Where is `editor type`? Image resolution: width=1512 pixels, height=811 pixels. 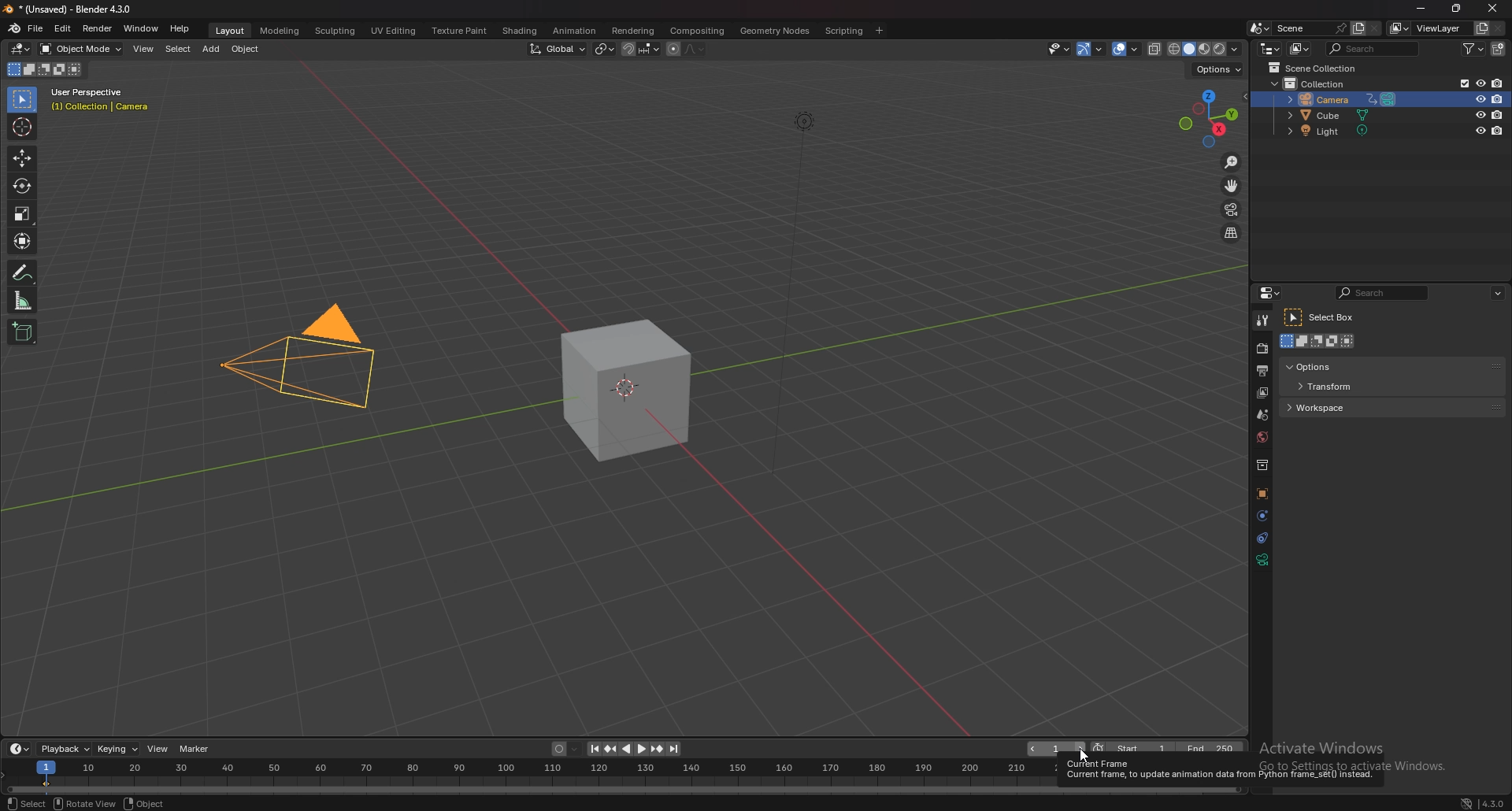
editor type is located at coordinates (20, 49).